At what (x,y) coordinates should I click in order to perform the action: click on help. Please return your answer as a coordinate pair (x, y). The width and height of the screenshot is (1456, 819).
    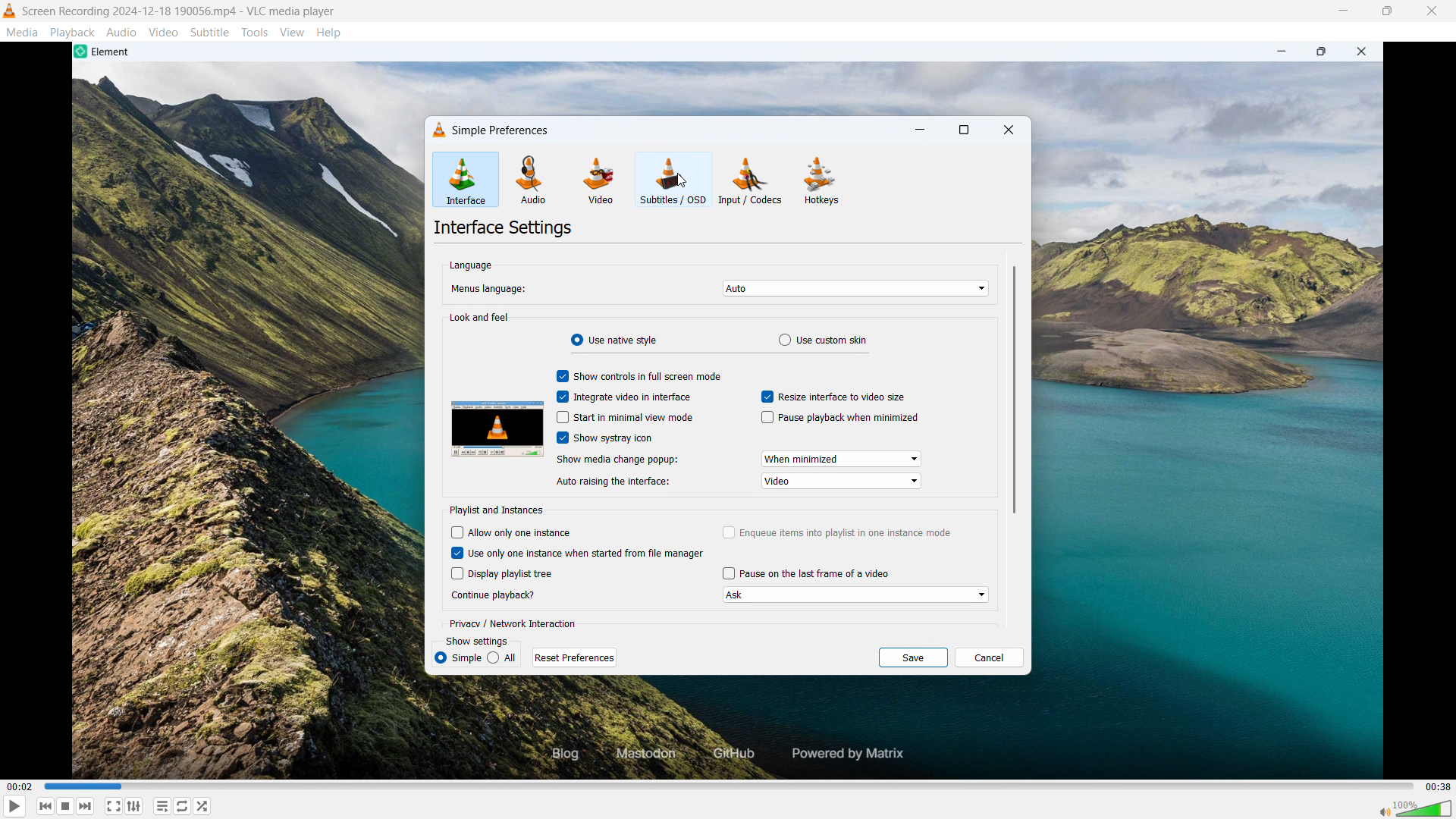
    Looking at the image, I should click on (329, 33).